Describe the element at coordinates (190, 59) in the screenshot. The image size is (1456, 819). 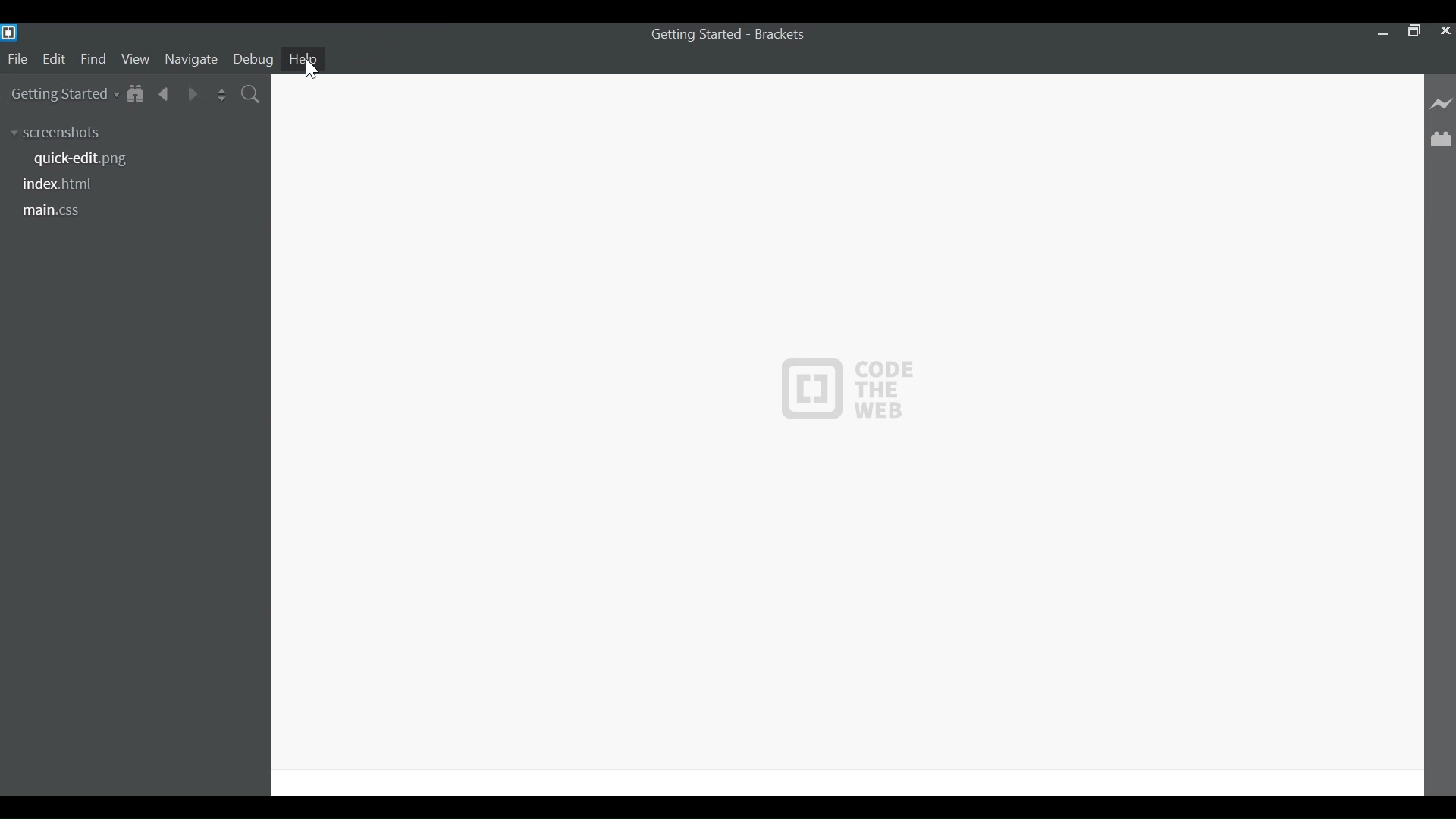
I see `Navigate` at that location.